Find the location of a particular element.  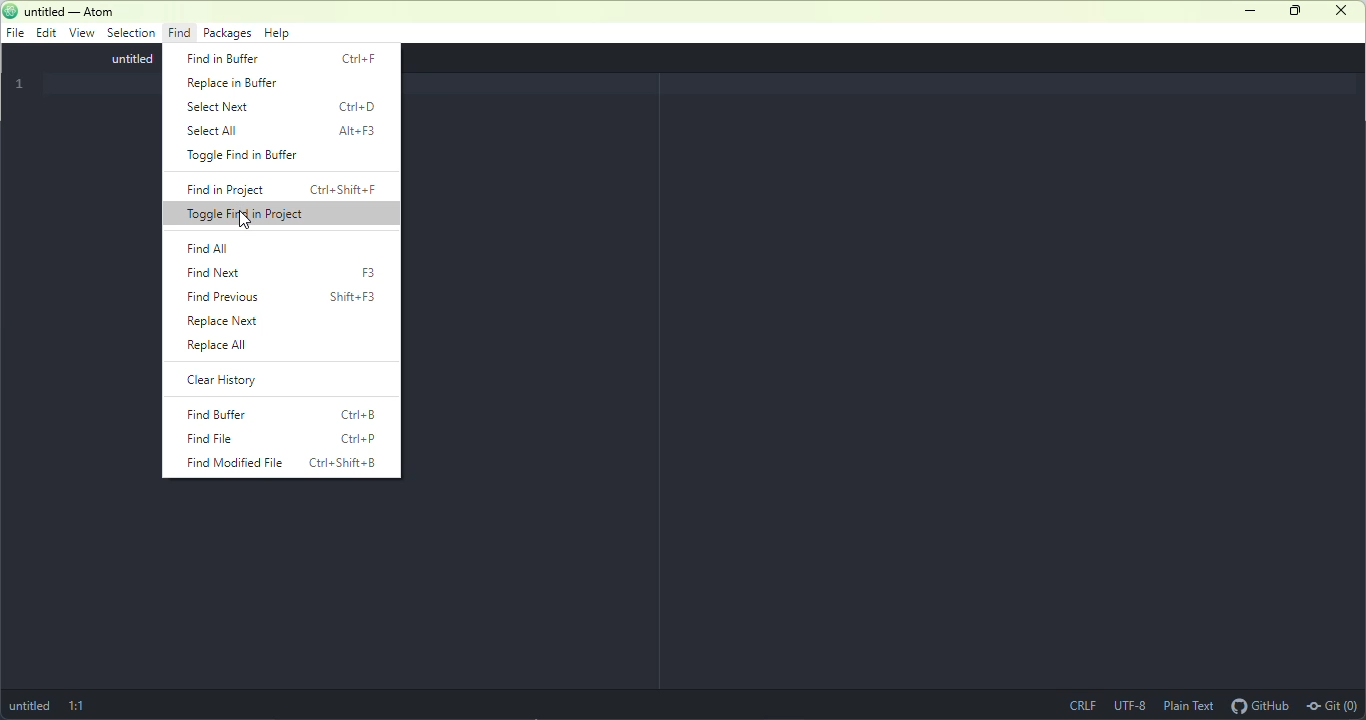

find in buffer is located at coordinates (284, 57).